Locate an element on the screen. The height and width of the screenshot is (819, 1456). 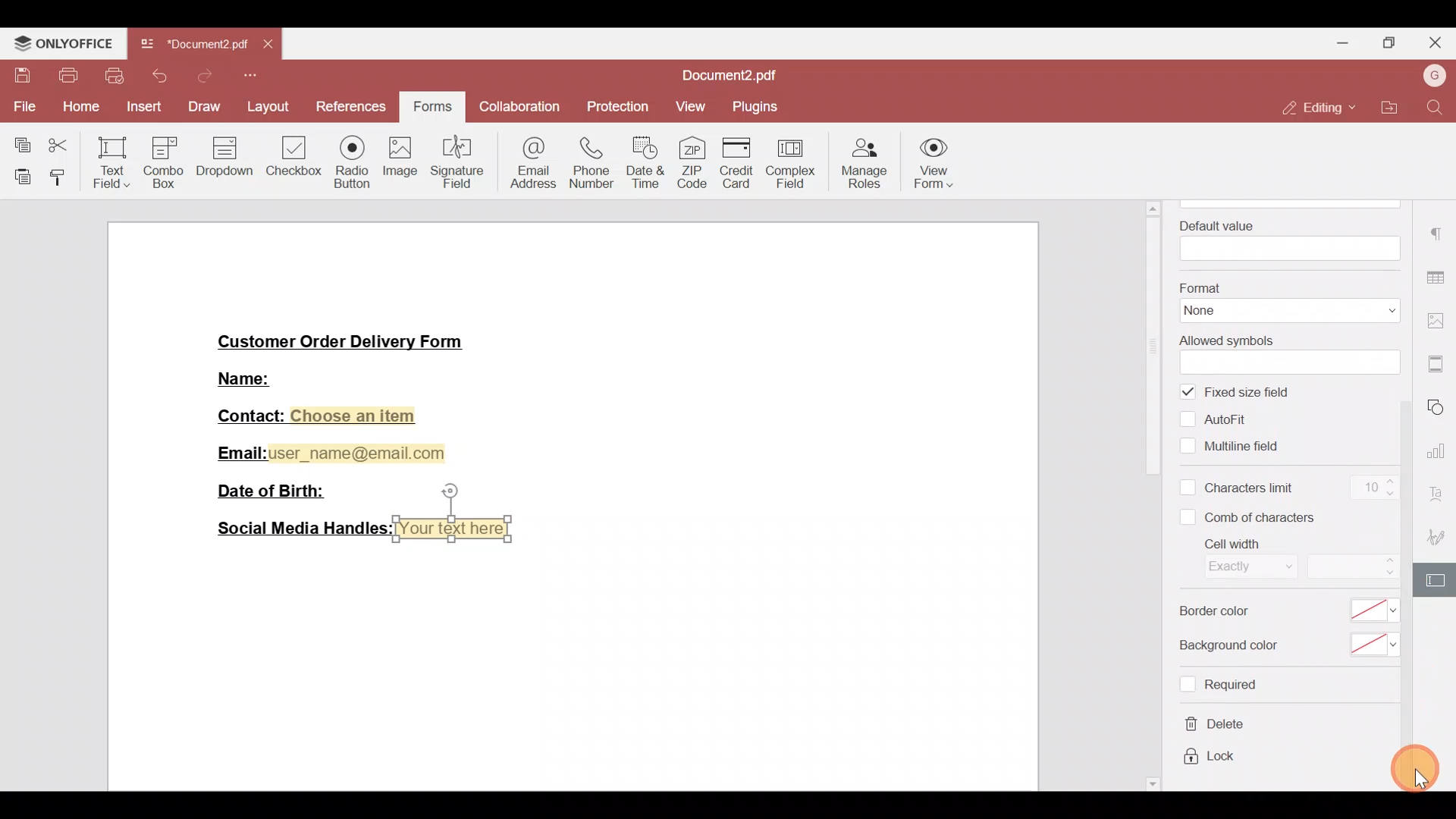
Credit card is located at coordinates (734, 162).